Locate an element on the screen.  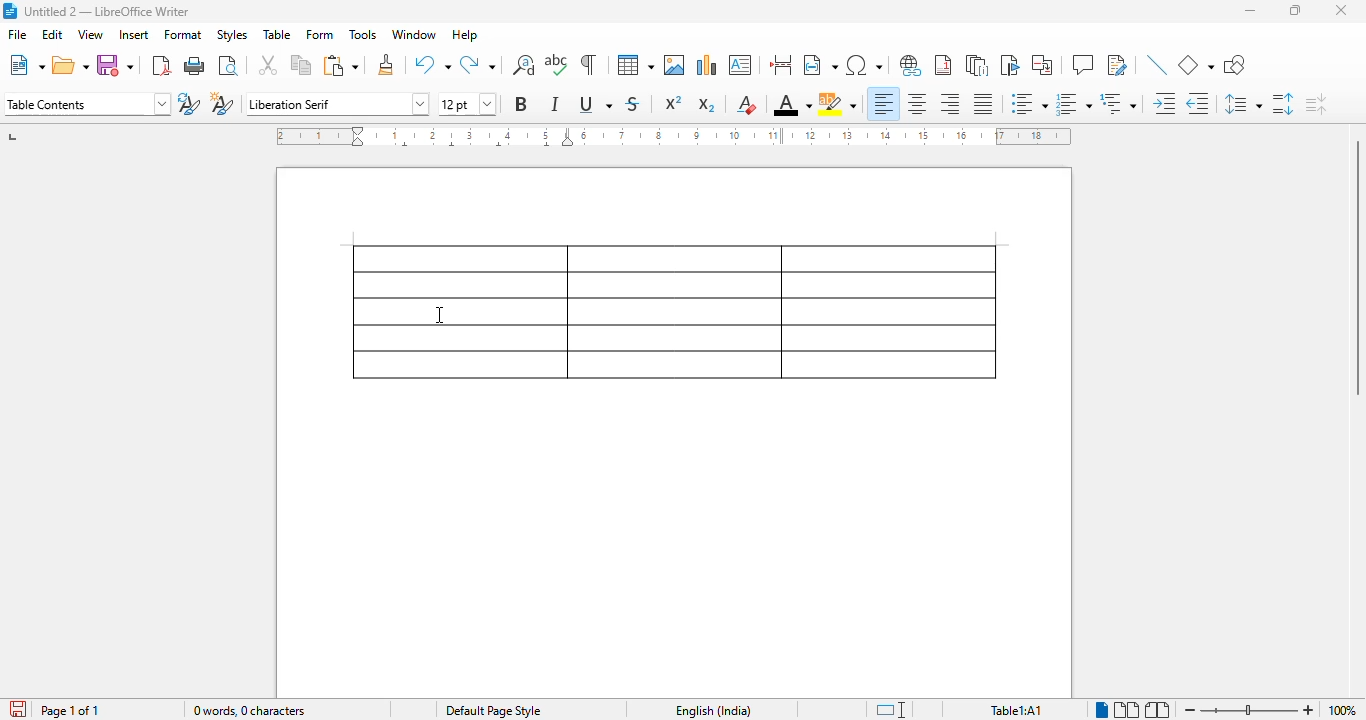
toggle formatting marks is located at coordinates (588, 64).